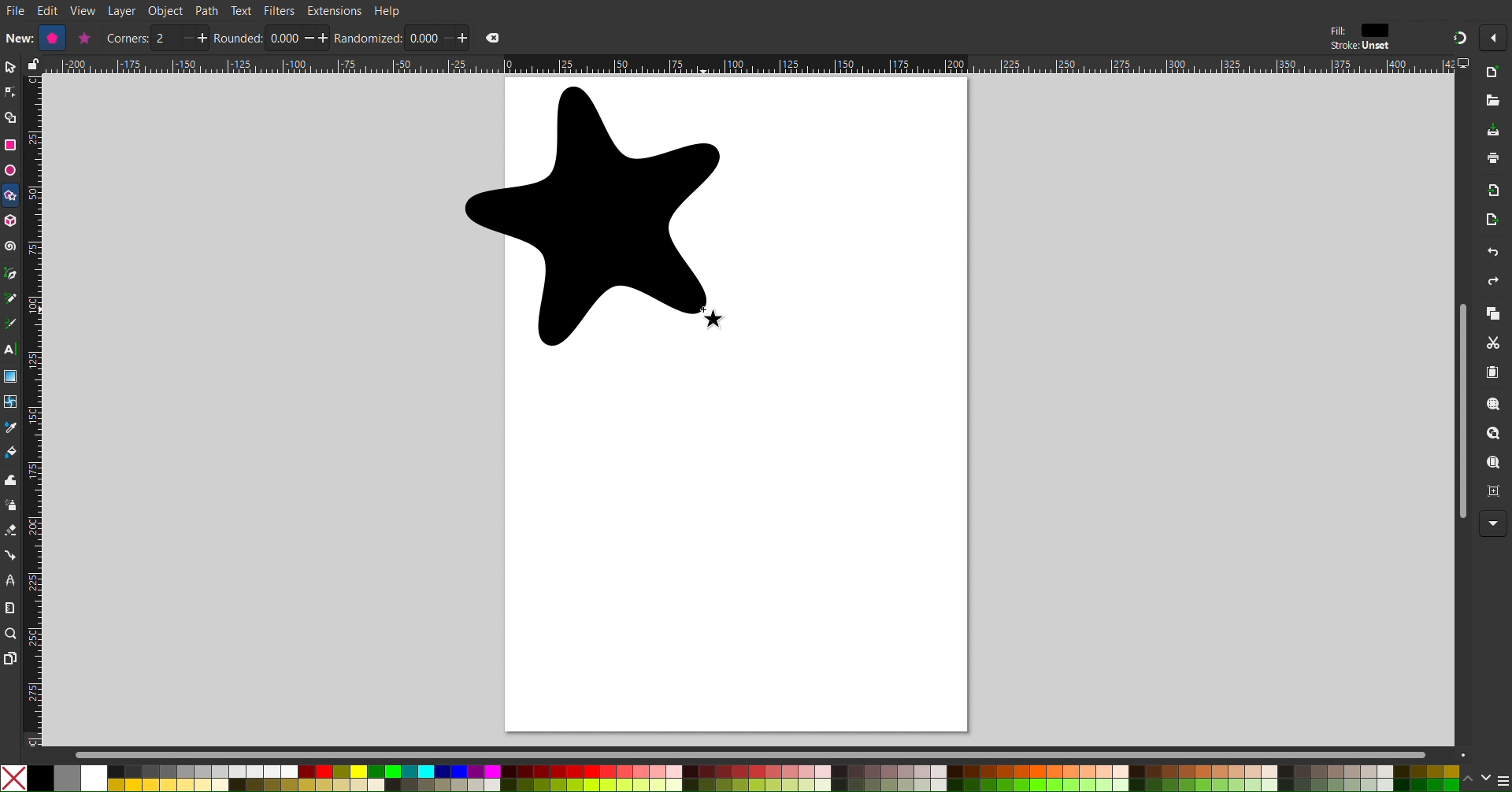  Describe the element at coordinates (11, 220) in the screenshot. I see `3D Box Tool` at that location.